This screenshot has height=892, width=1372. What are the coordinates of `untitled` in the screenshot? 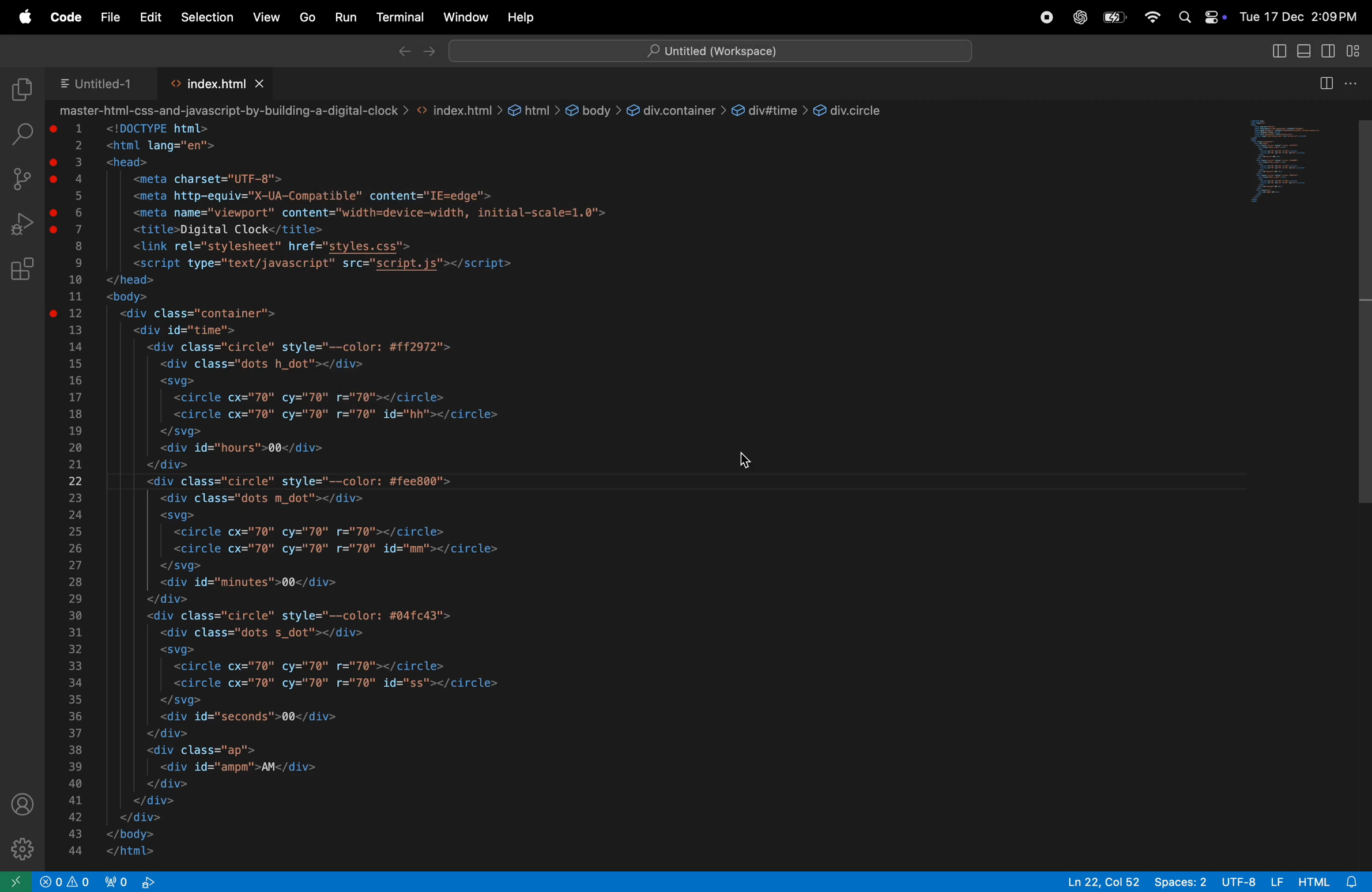 It's located at (97, 82).